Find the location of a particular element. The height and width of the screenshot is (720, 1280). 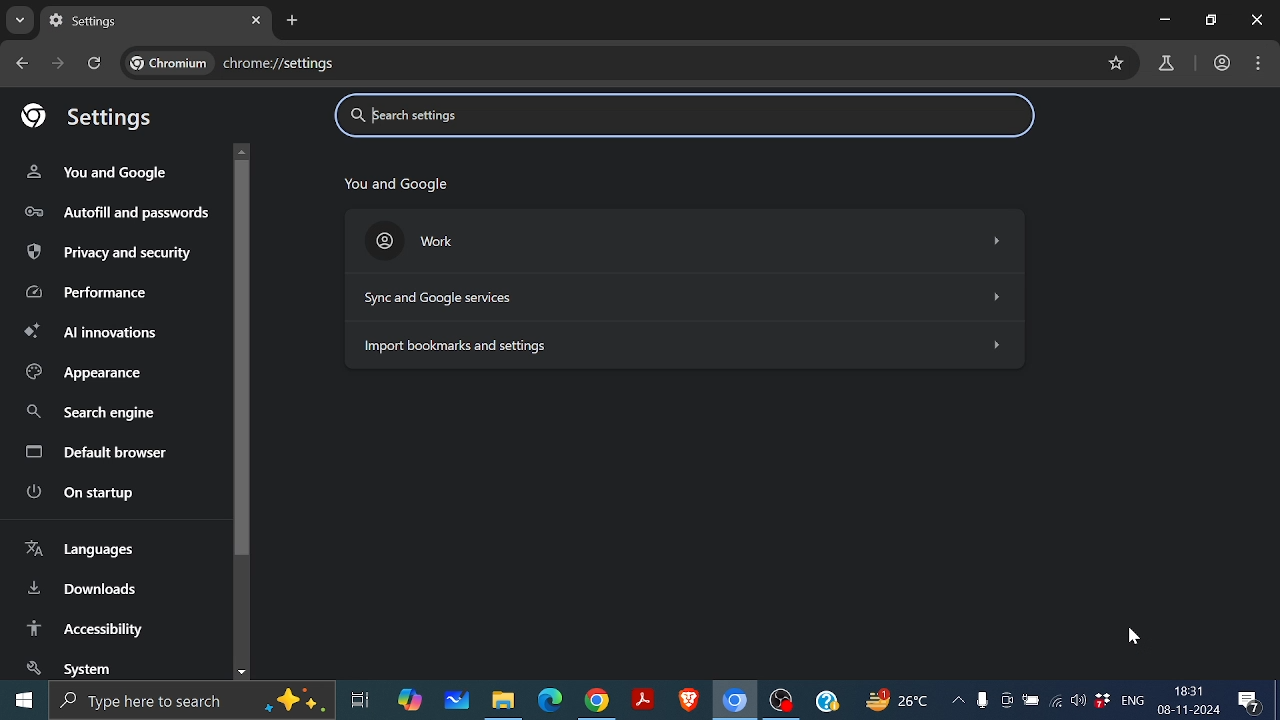

current cite: chrome://settings is located at coordinates (397, 64).